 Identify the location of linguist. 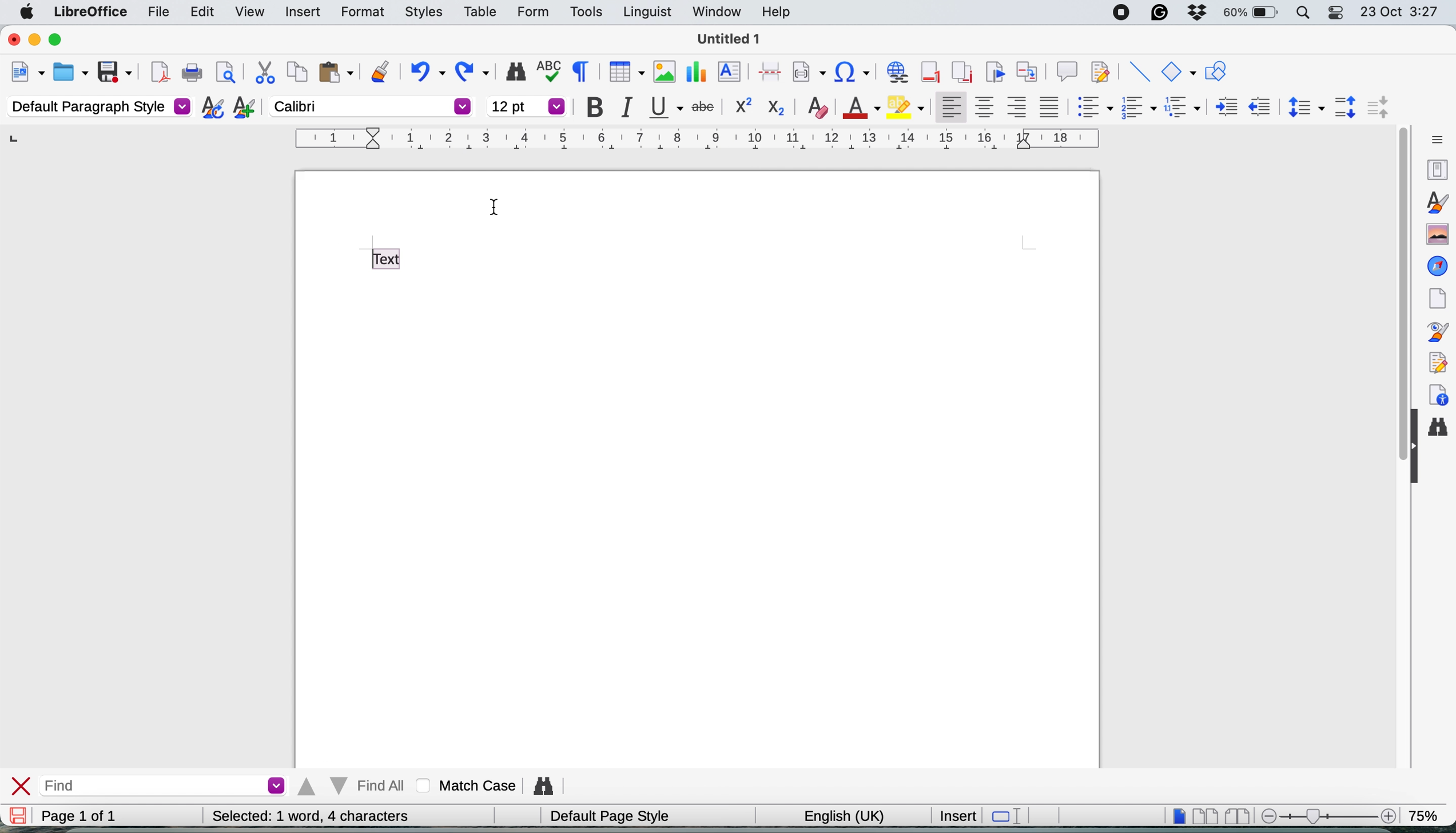
(644, 14).